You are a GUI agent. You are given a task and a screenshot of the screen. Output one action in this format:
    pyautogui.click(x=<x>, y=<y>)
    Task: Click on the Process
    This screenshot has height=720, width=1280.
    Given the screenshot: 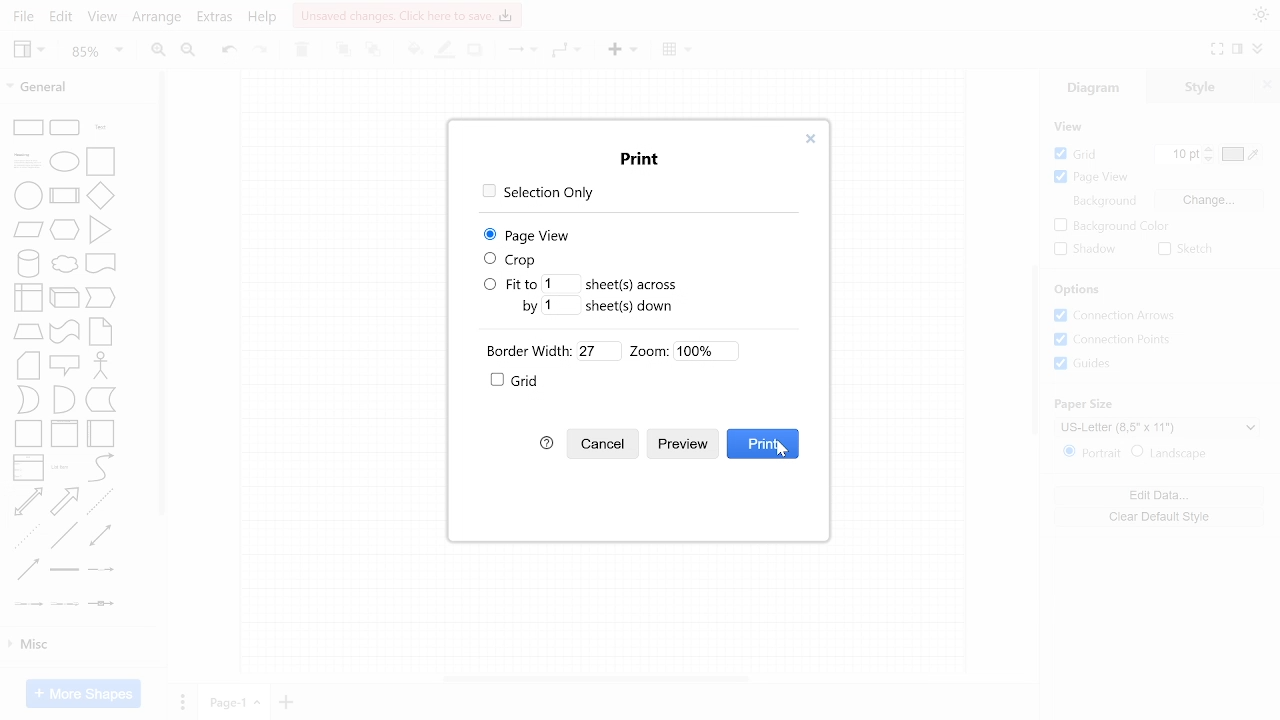 What is the action you would take?
    pyautogui.click(x=64, y=195)
    